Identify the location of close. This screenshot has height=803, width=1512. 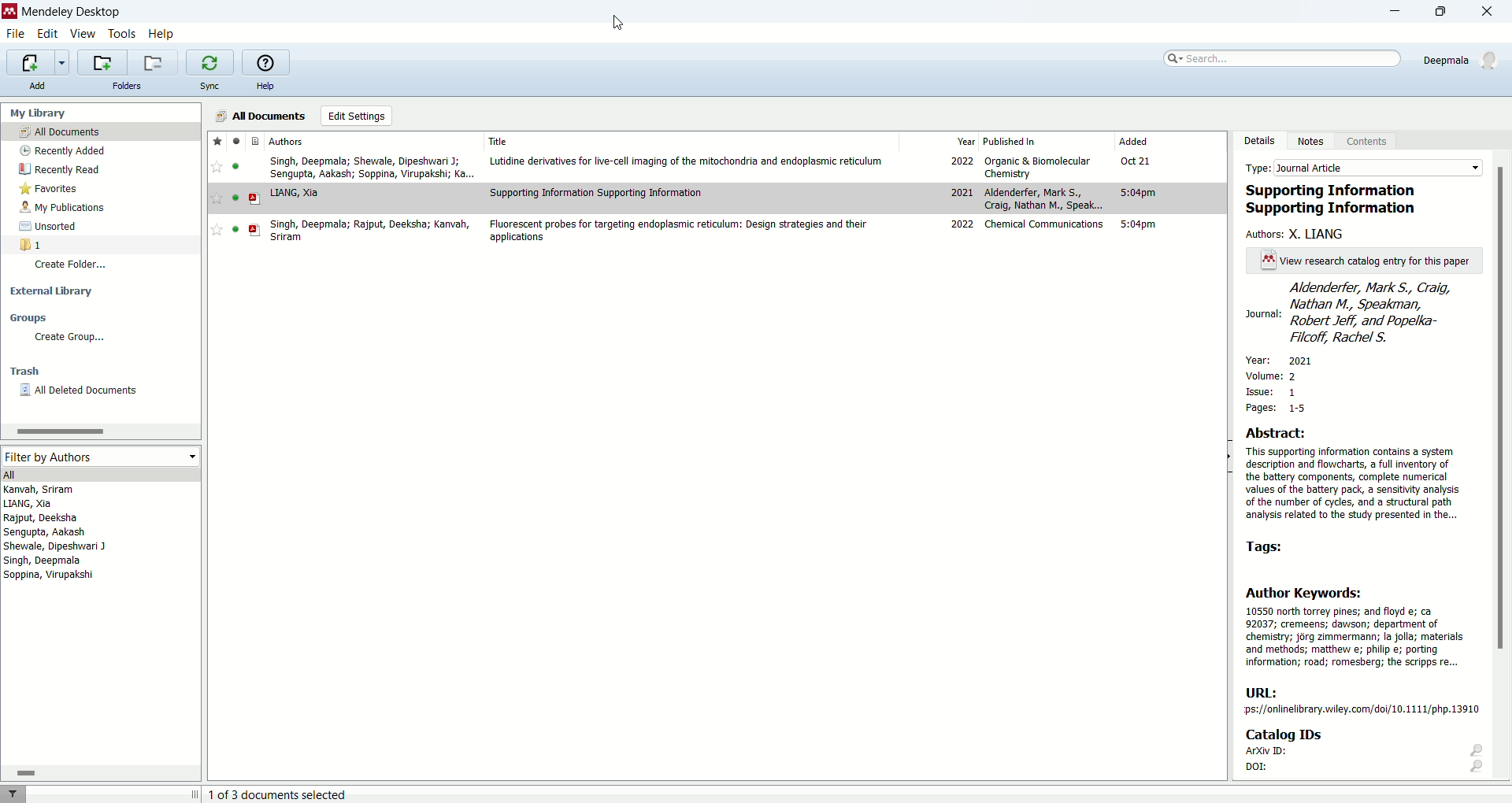
(1488, 11).